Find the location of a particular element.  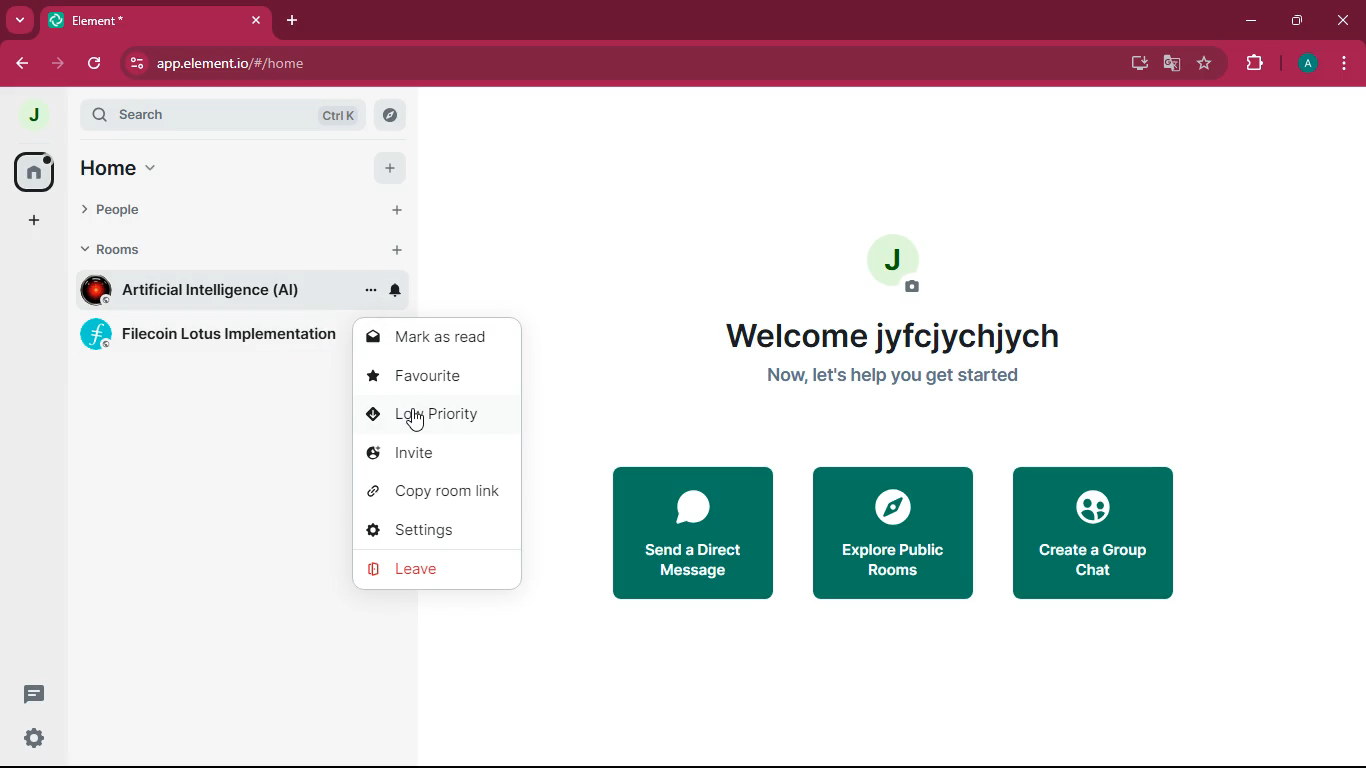

tab is located at coordinates (157, 21).